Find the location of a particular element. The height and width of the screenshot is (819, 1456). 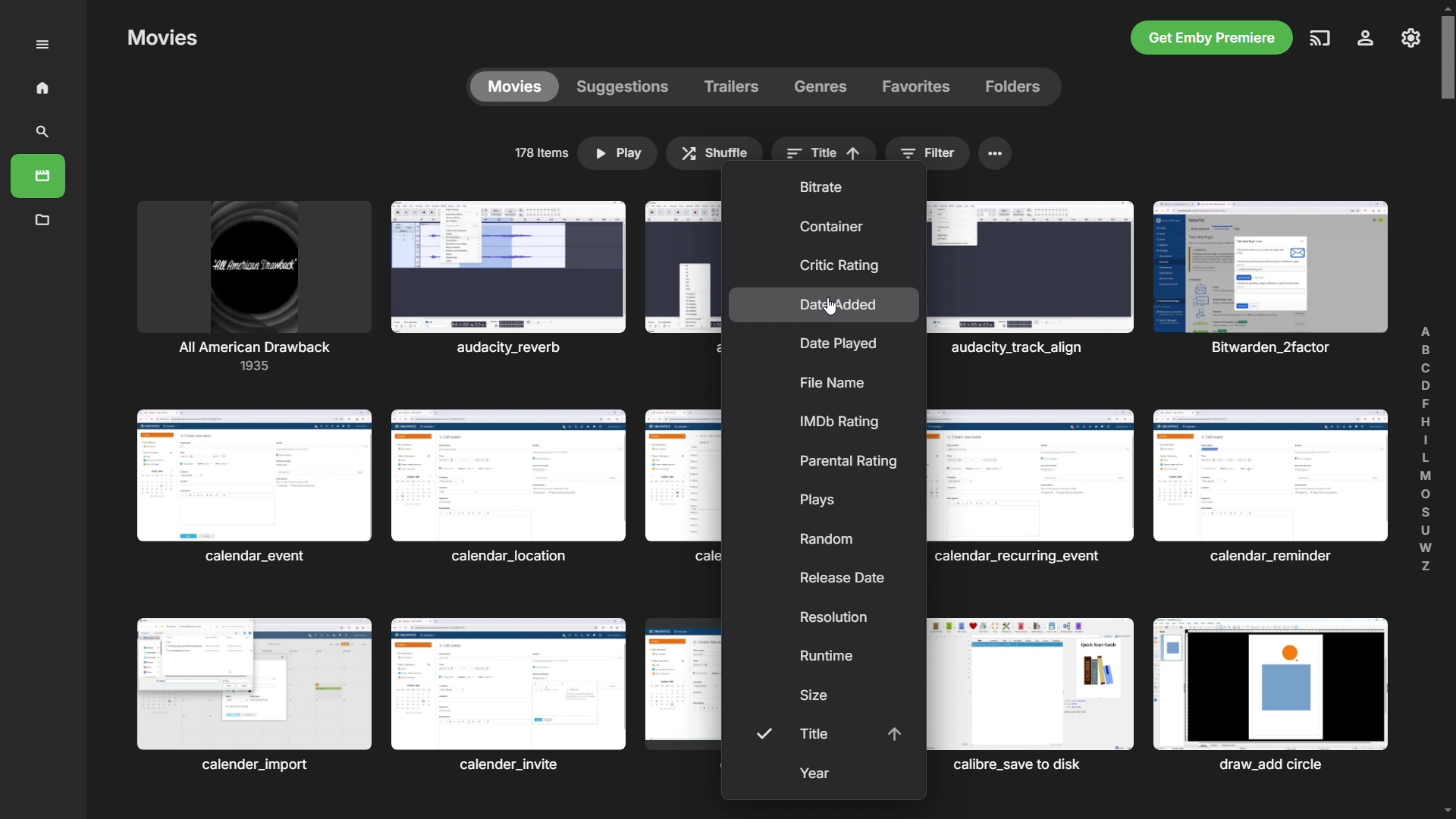

plays is located at coordinates (824, 499).